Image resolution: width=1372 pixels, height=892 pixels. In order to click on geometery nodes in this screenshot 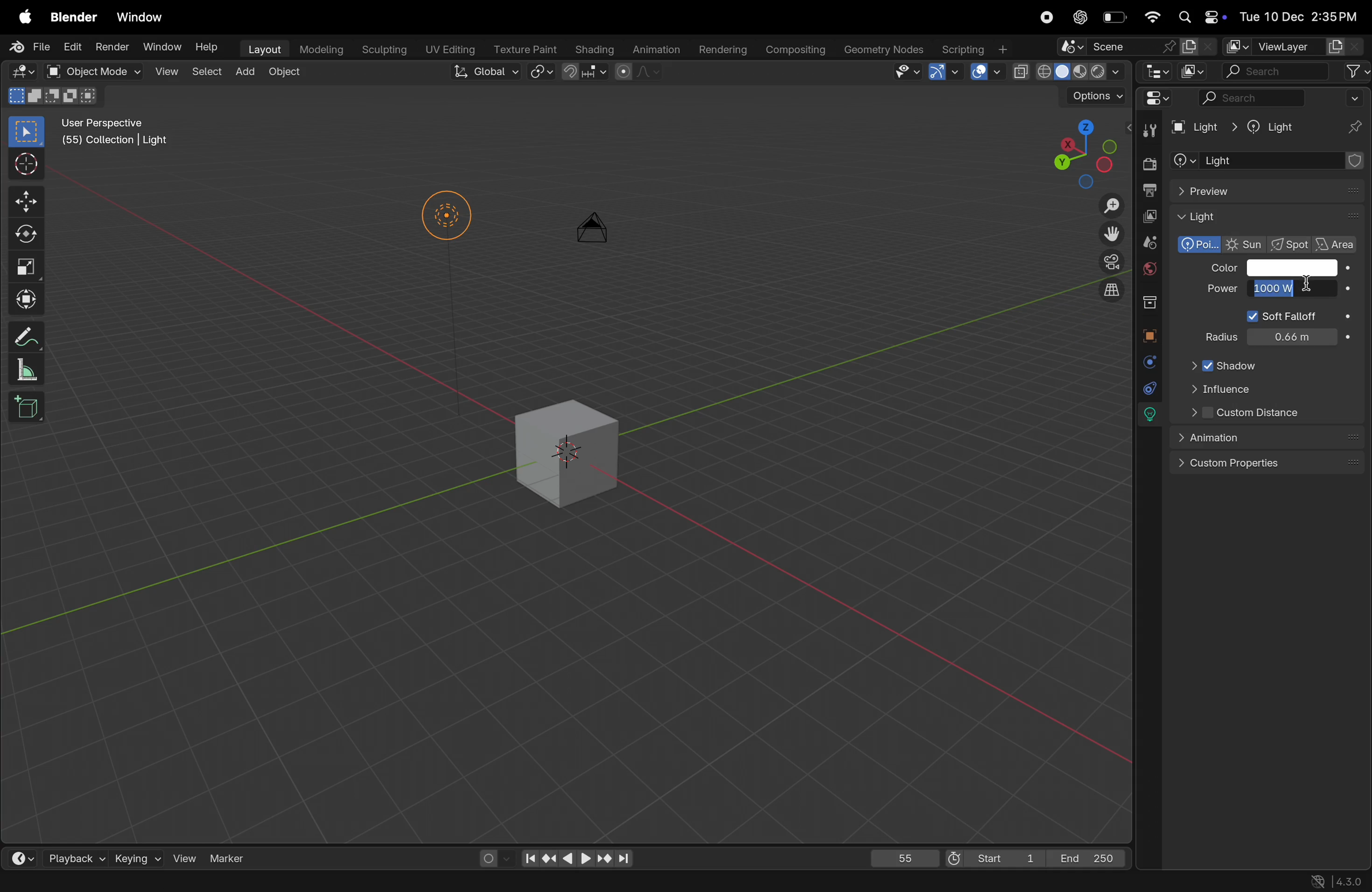, I will do `click(884, 48)`.